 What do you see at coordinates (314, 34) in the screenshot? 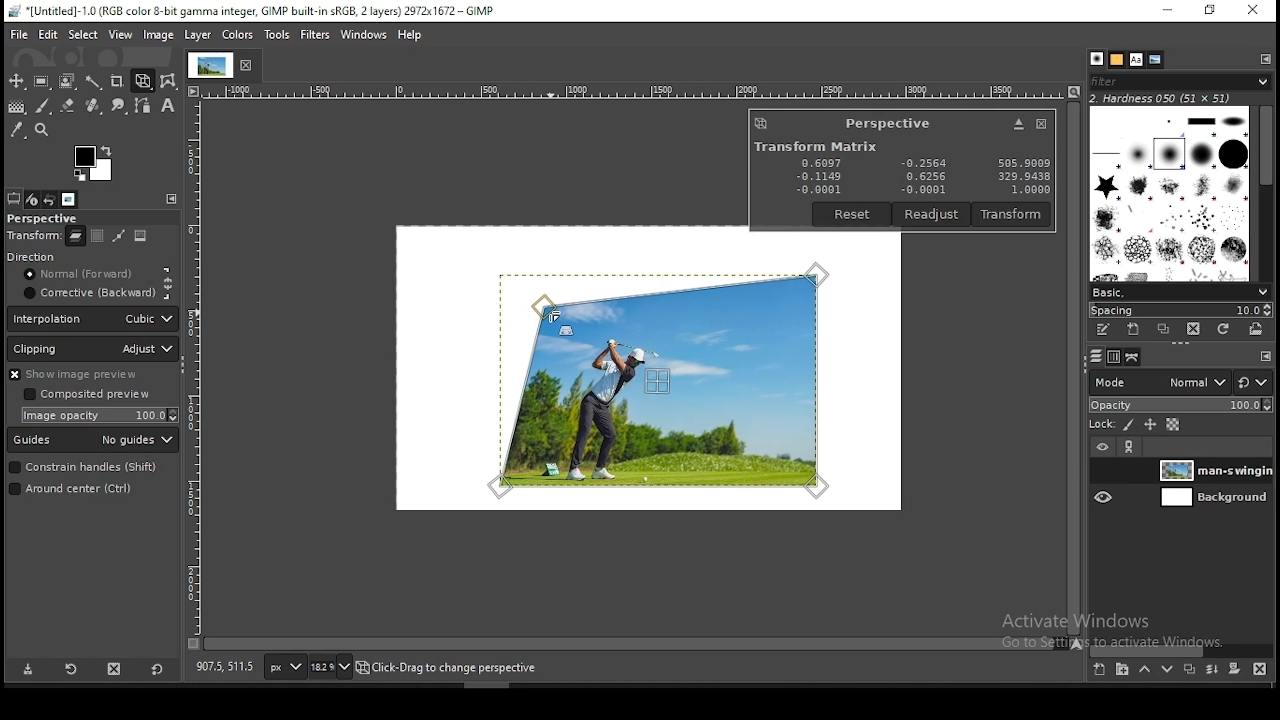
I see `filters` at bounding box center [314, 34].